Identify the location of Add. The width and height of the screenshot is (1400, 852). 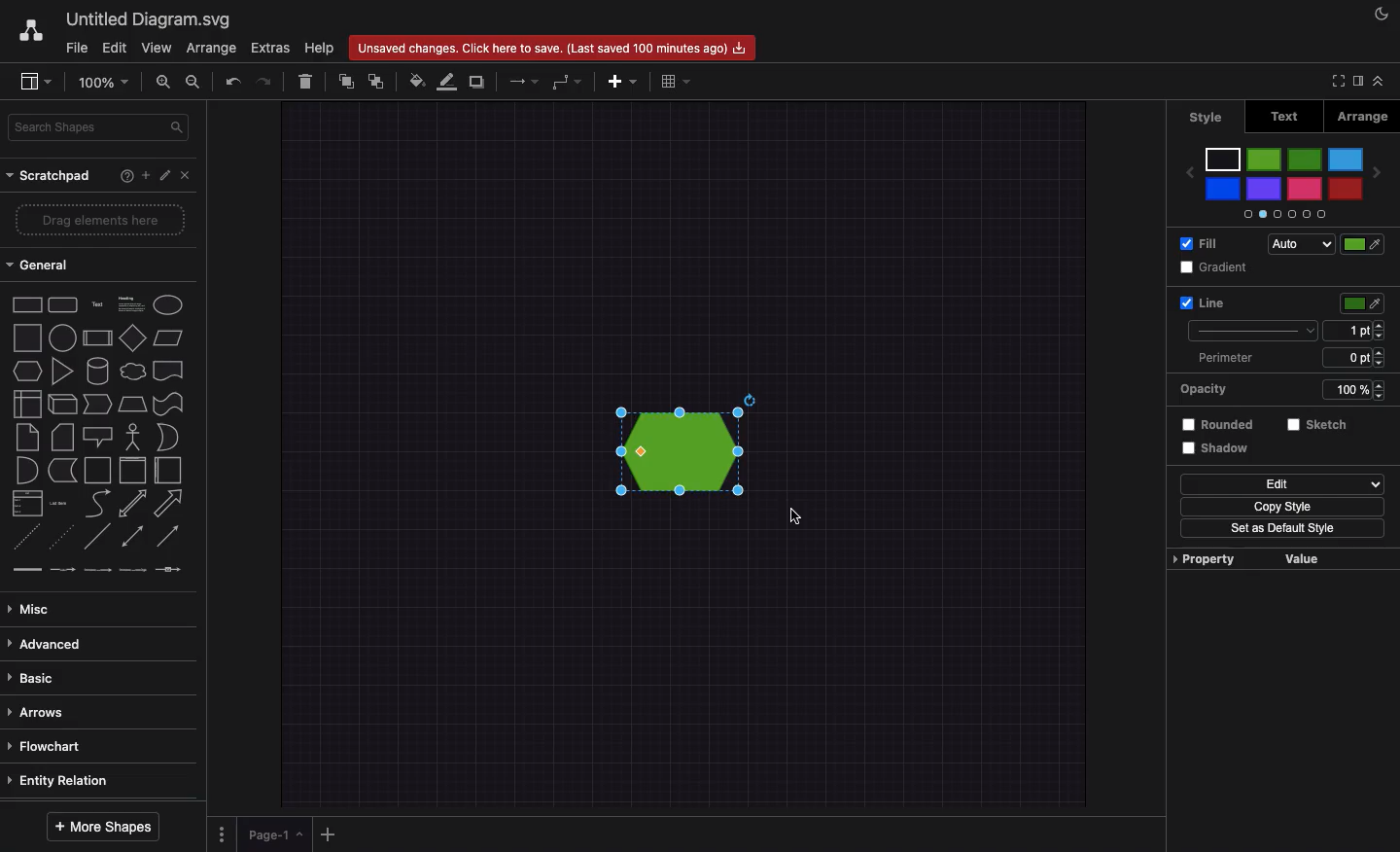
(149, 177).